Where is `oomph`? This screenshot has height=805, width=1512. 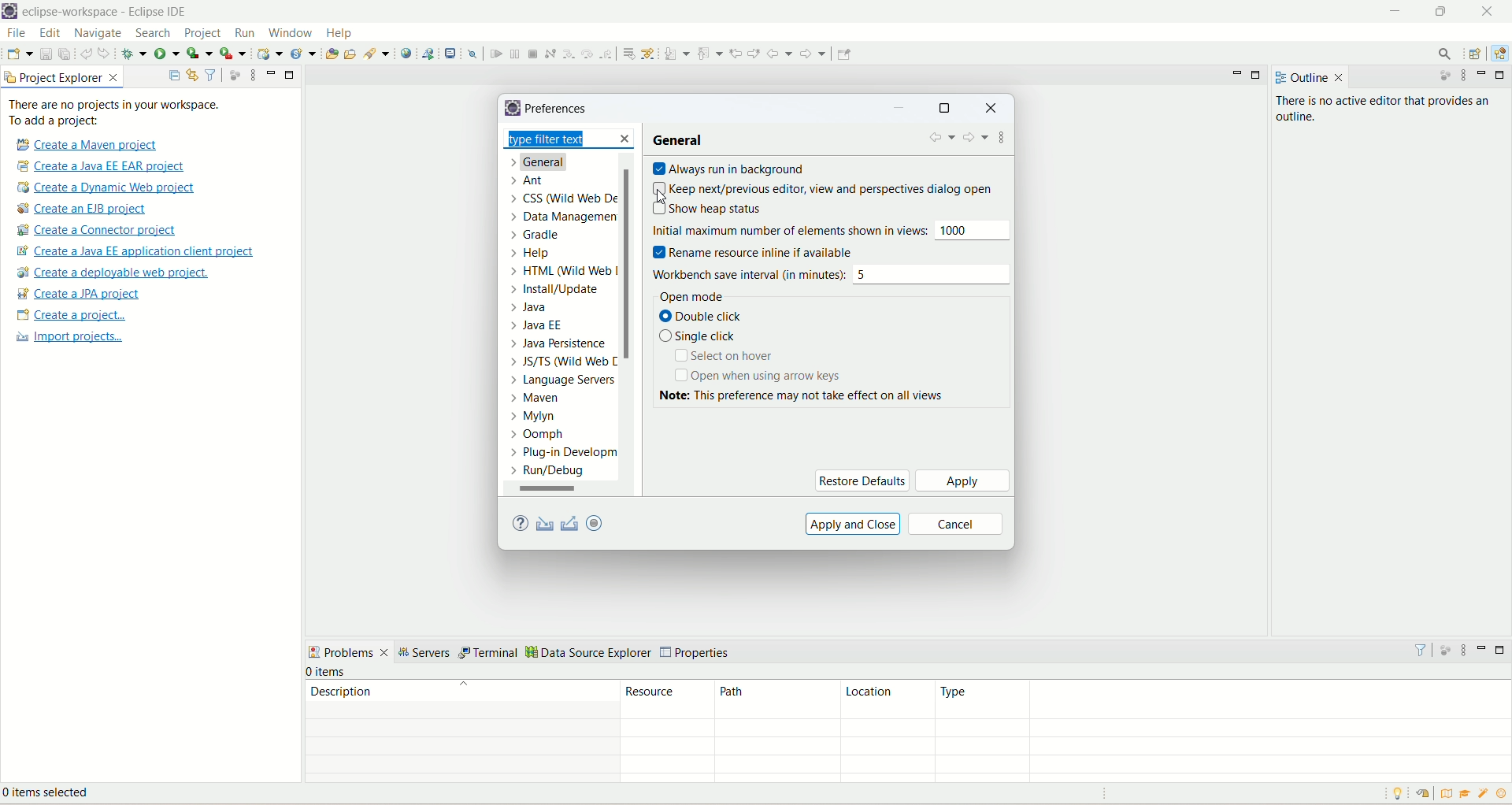 oomph is located at coordinates (538, 435).